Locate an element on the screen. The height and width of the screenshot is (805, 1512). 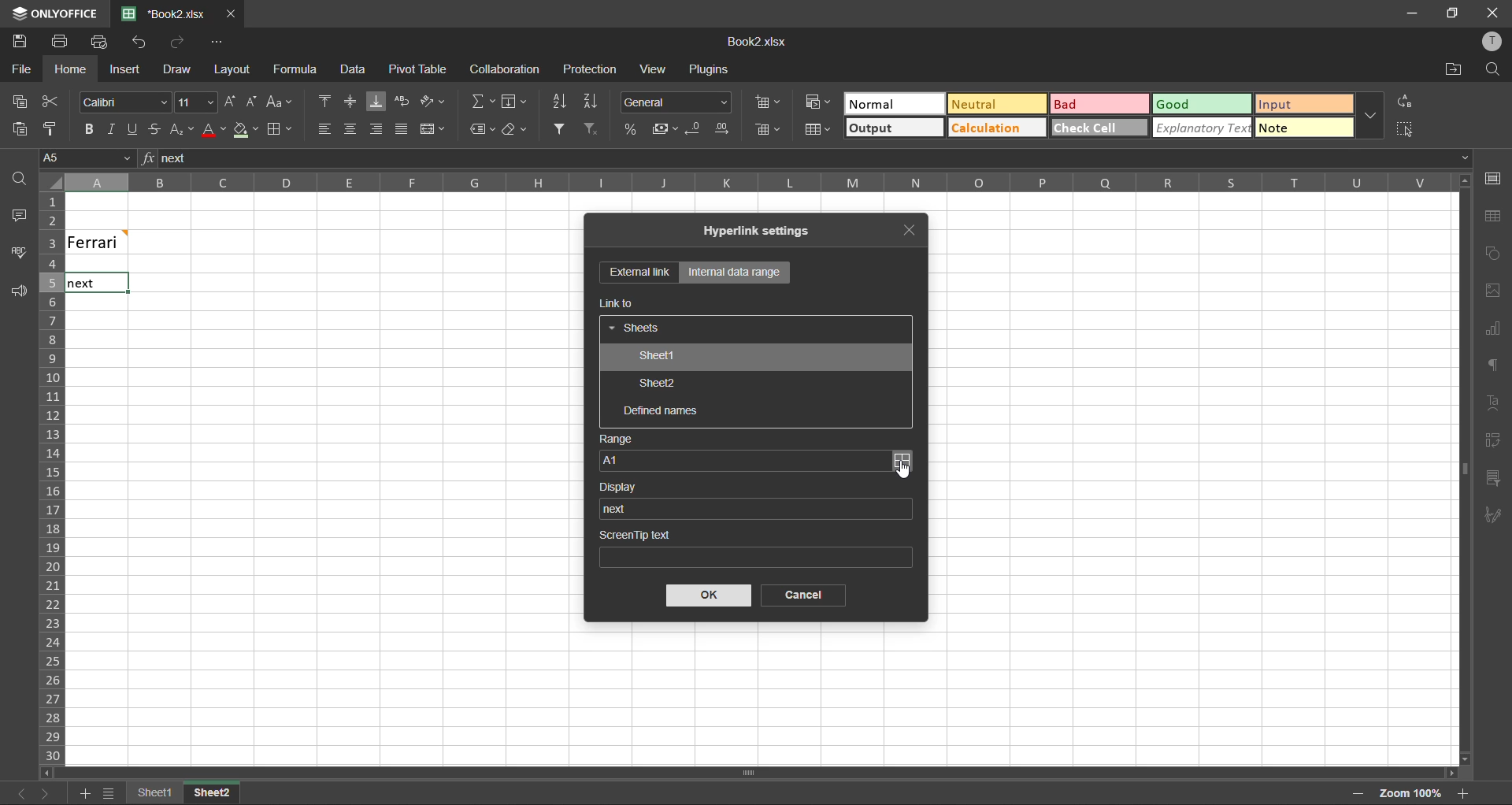
shapes is located at coordinates (1495, 254).